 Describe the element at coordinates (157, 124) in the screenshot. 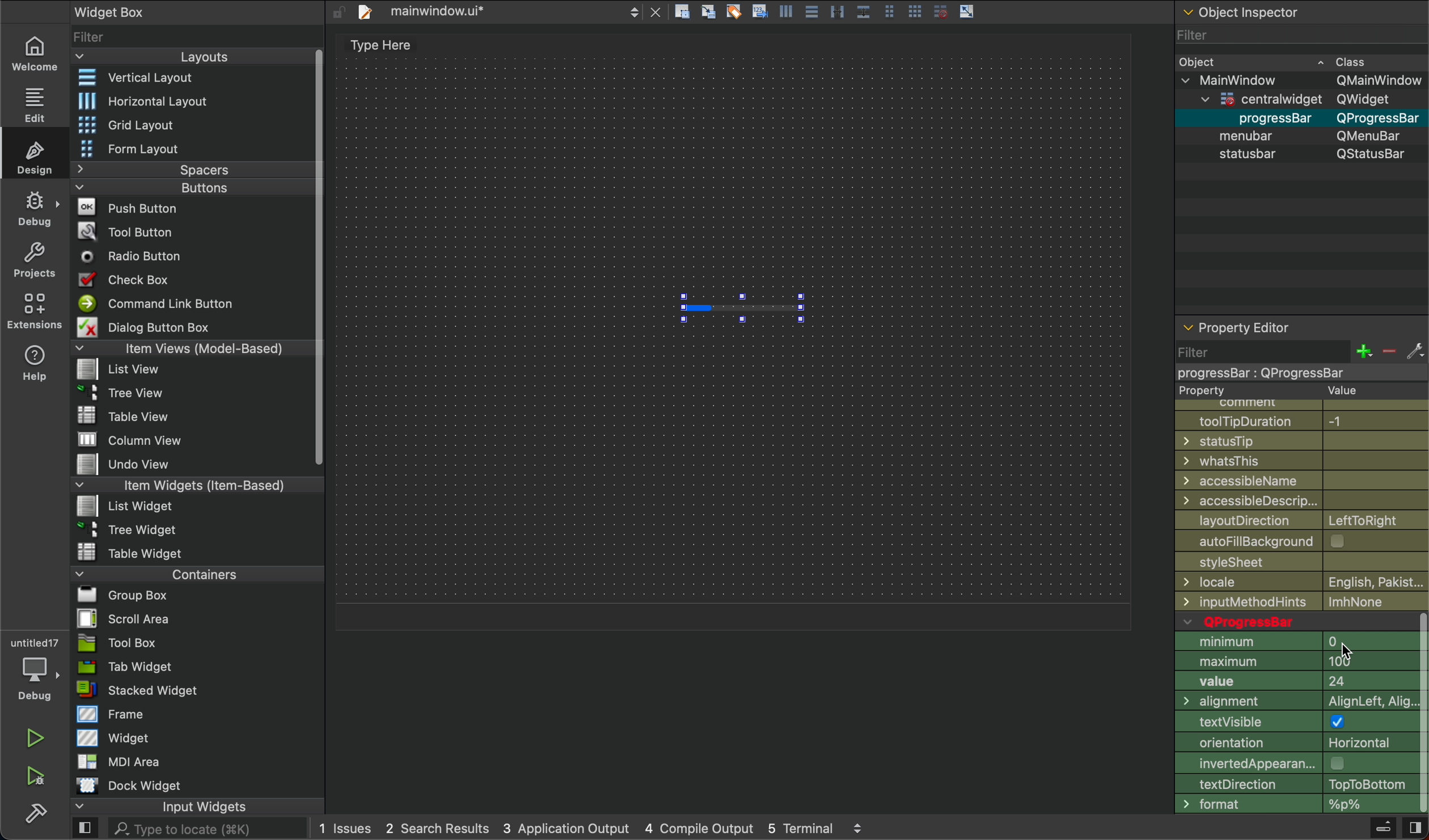

I see `Grid Layout` at that location.